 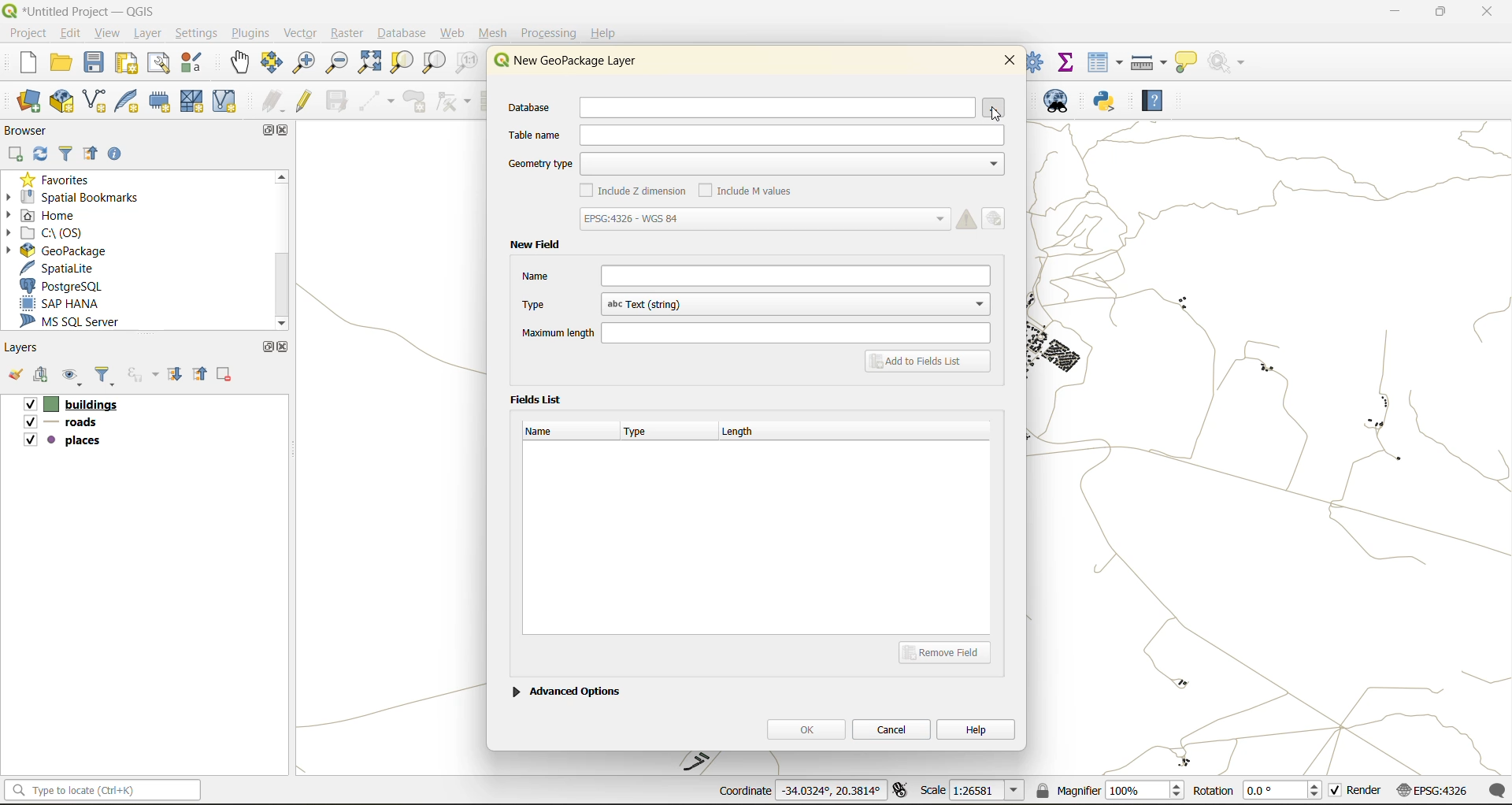 I want to click on Type to locate (Ctrl+K)(status bar), so click(x=103, y=793).